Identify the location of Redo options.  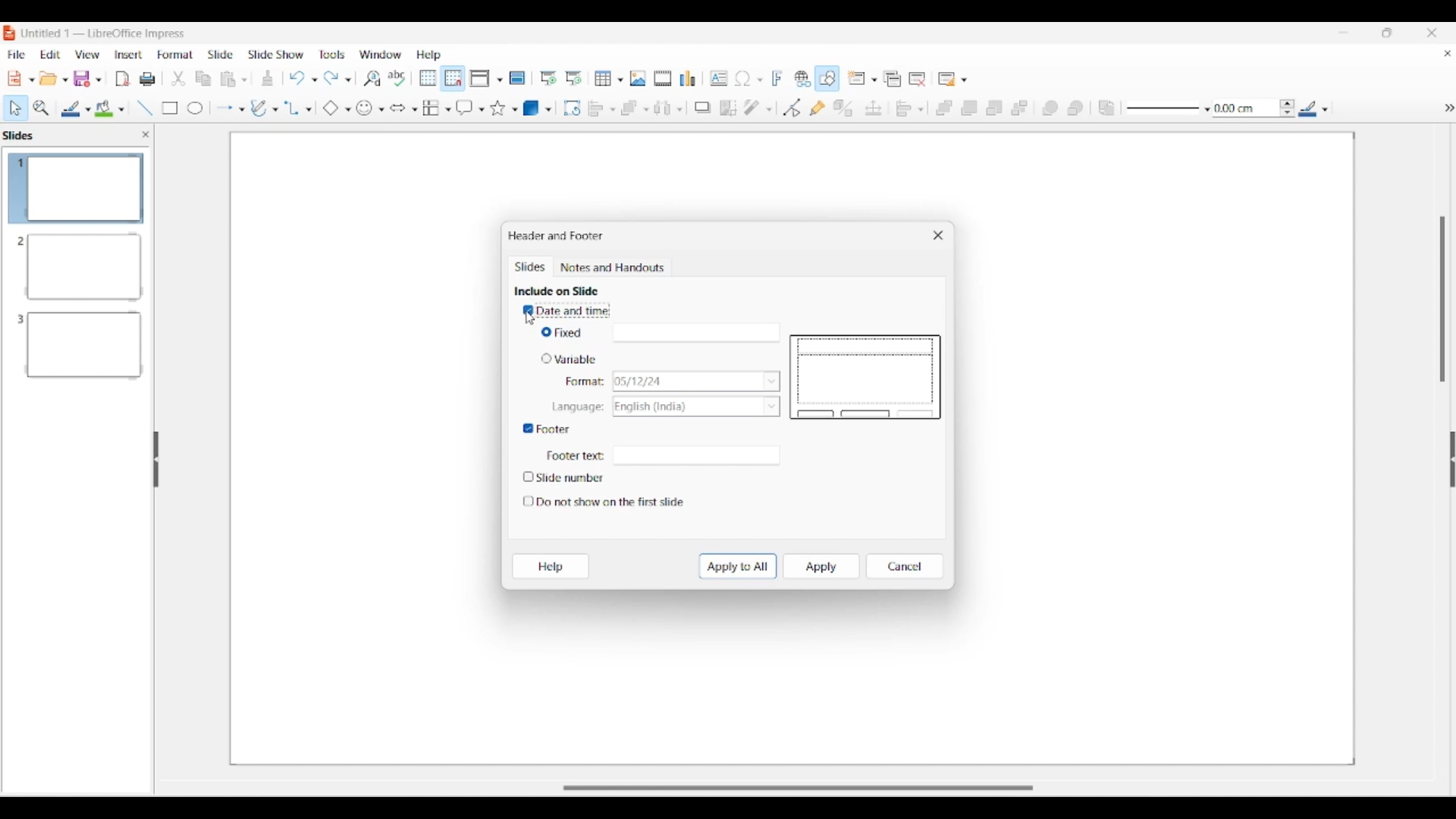
(337, 77).